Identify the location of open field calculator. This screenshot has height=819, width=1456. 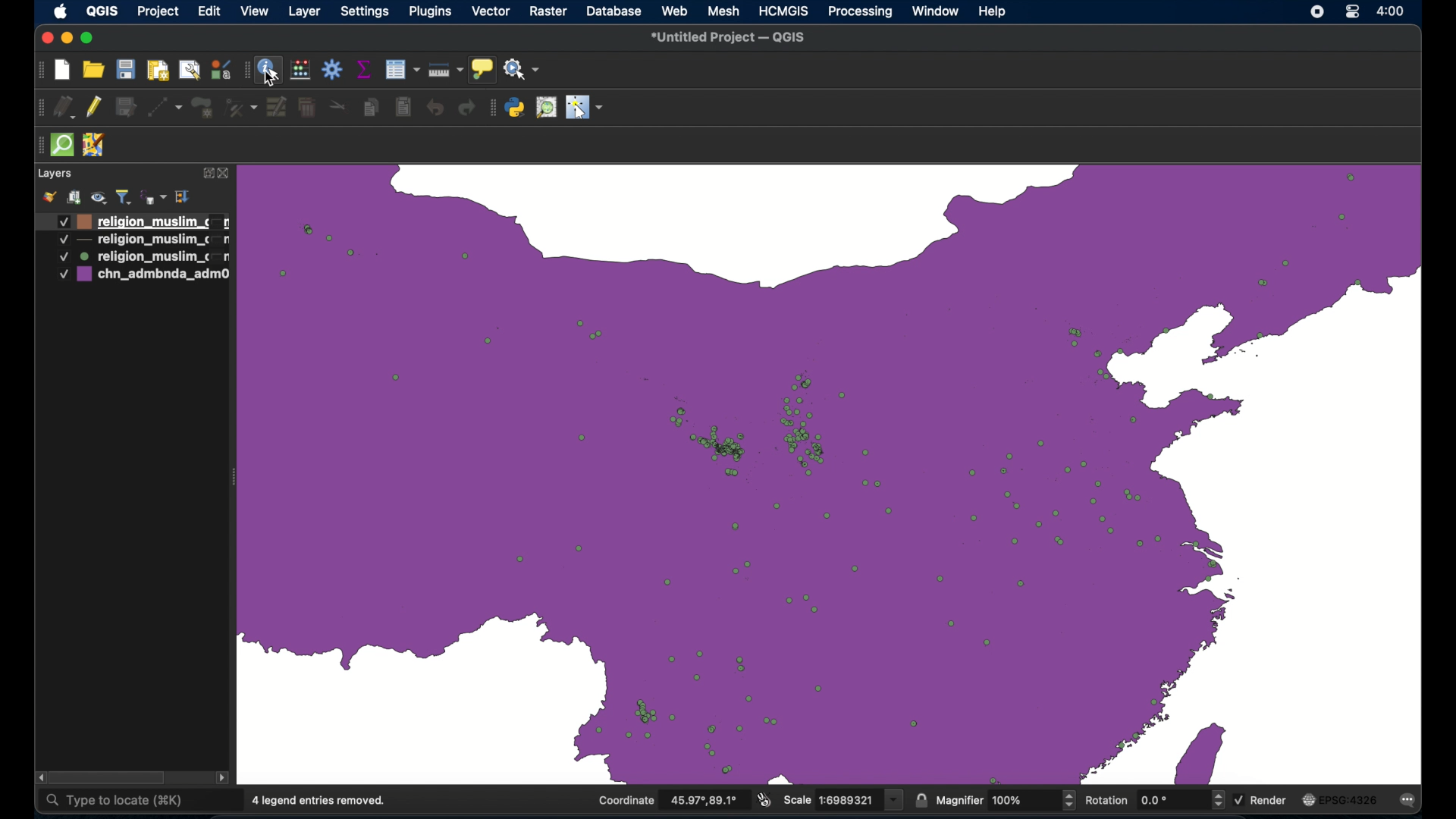
(300, 70).